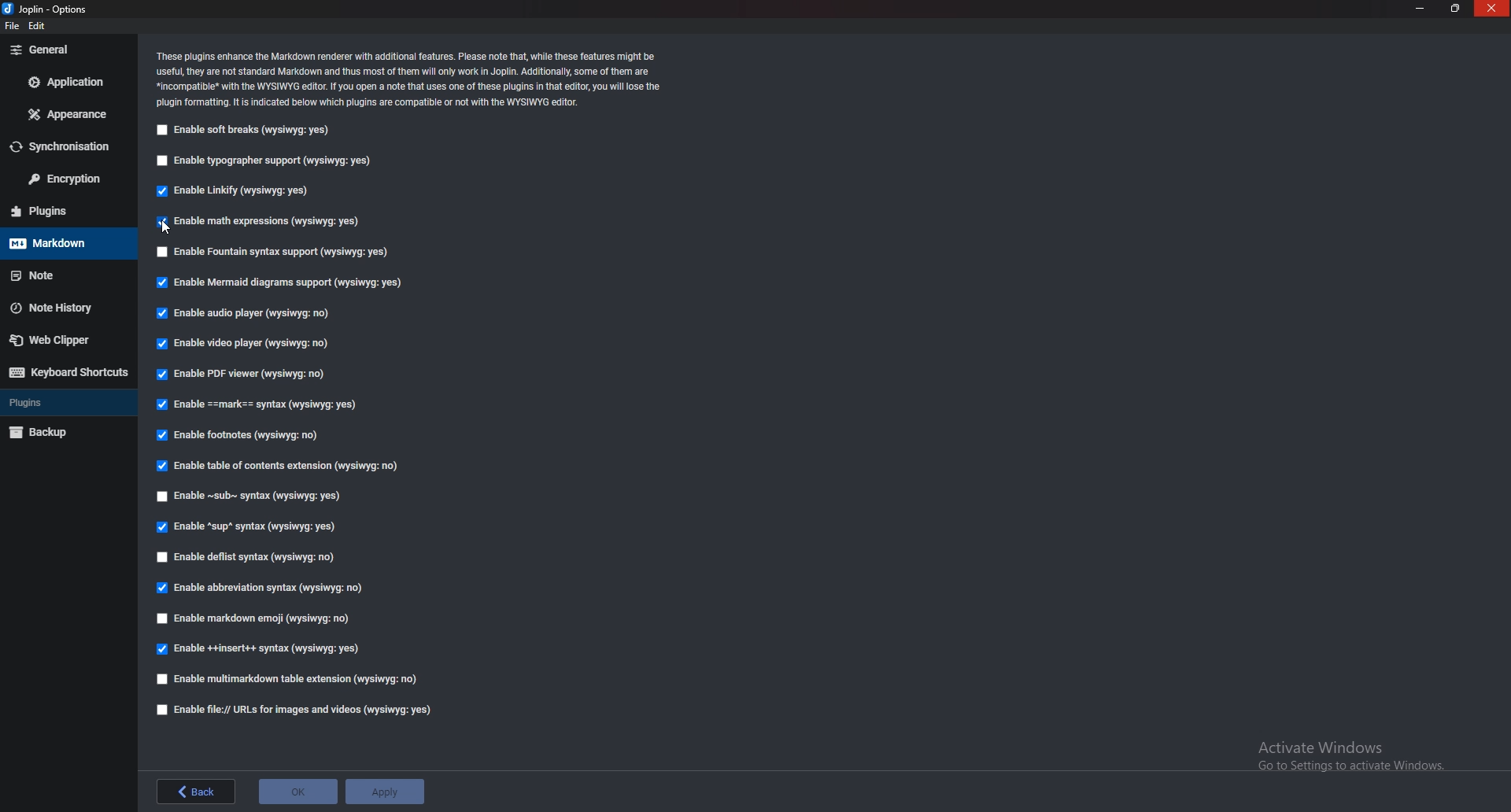 The width and height of the screenshot is (1511, 812). Describe the element at coordinates (296, 710) in the screenshot. I see `Enable file urls for images and videos` at that location.